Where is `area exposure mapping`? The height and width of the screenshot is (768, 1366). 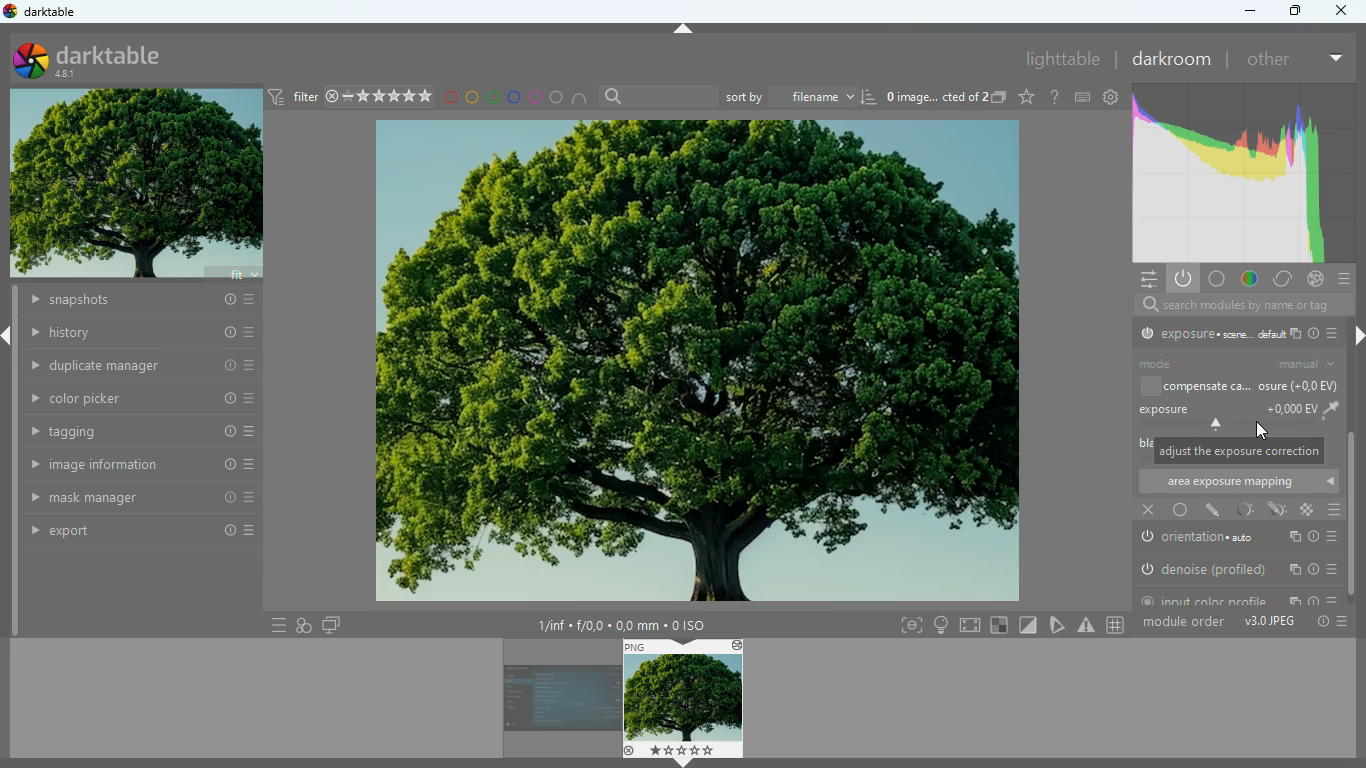 area exposure mapping is located at coordinates (1239, 481).